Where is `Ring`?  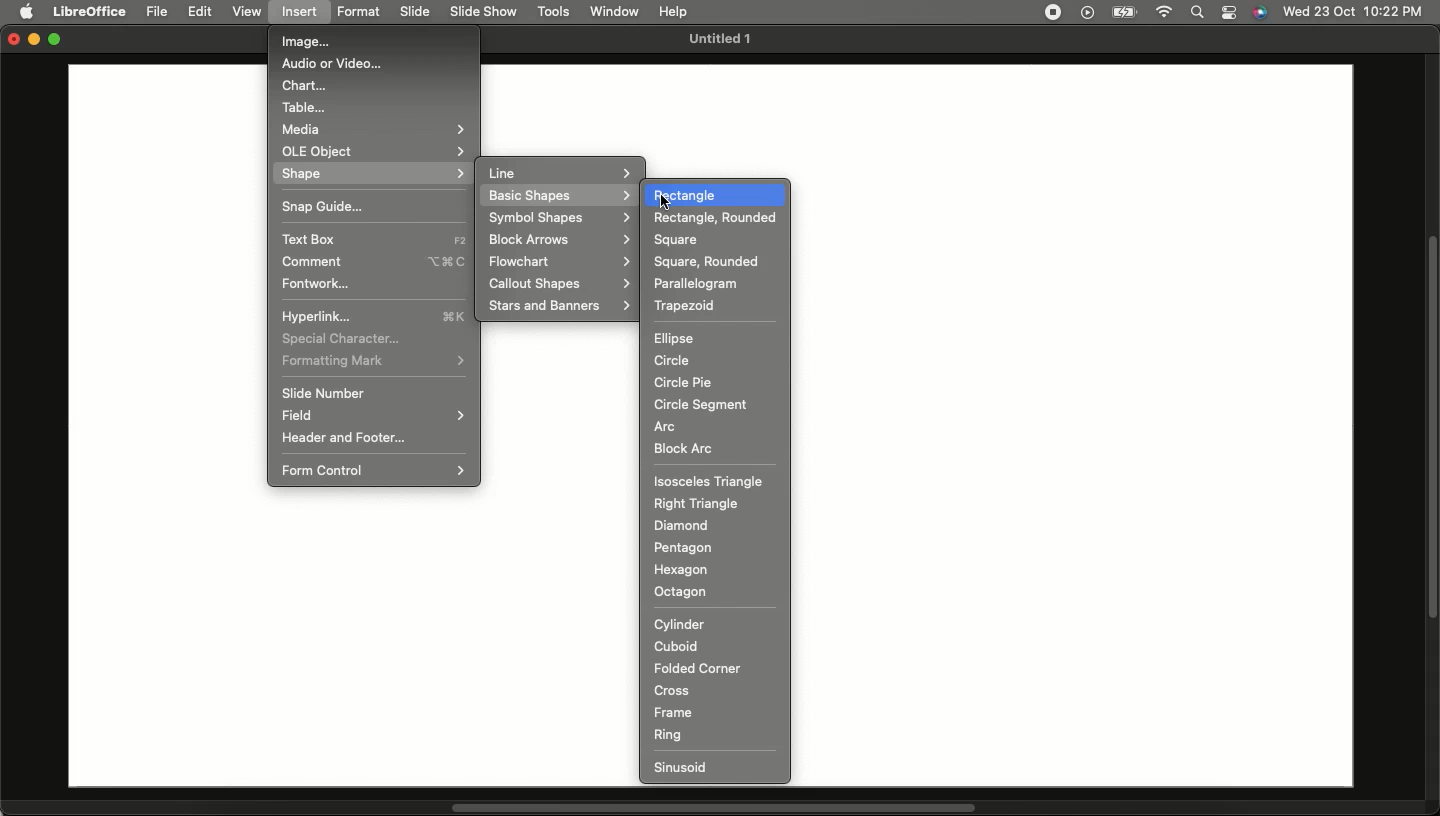
Ring is located at coordinates (671, 735).